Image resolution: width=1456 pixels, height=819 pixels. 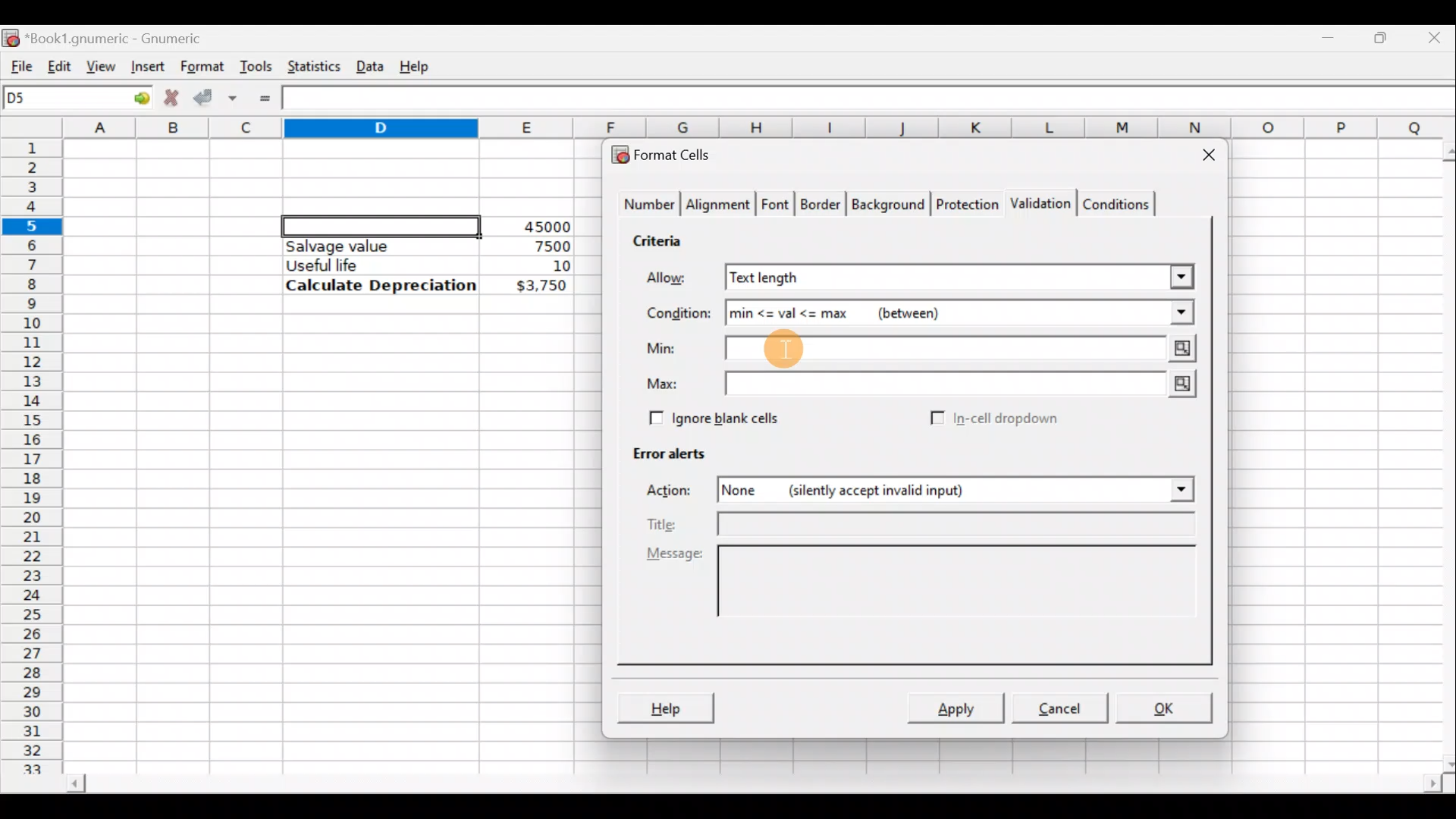 What do you see at coordinates (761, 128) in the screenshot?
I see `Columns` at bounding box center [761, 128].